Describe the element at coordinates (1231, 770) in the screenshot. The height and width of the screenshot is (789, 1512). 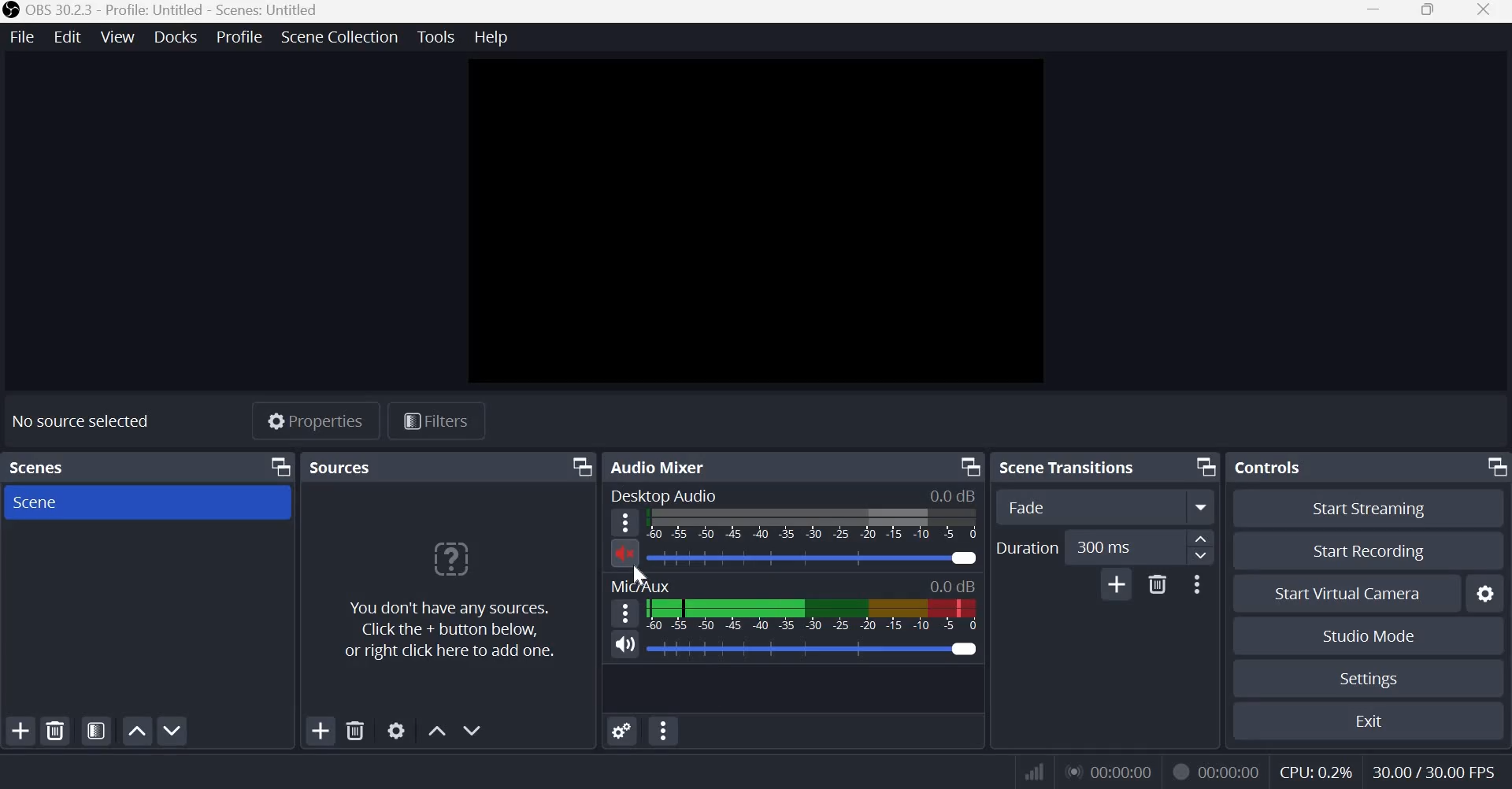
I see `Recording Timer` at that location.